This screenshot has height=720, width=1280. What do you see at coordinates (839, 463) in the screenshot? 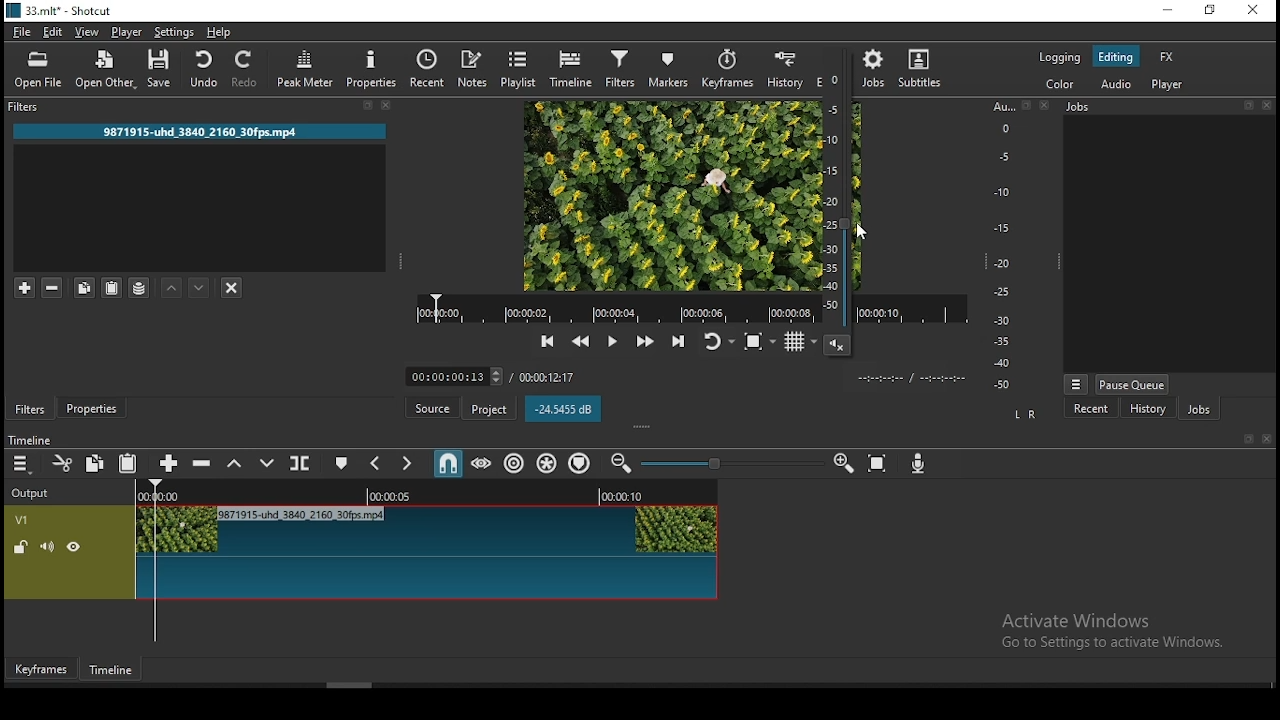
I see `zoom timeline in` at bounding box center [839, 463].